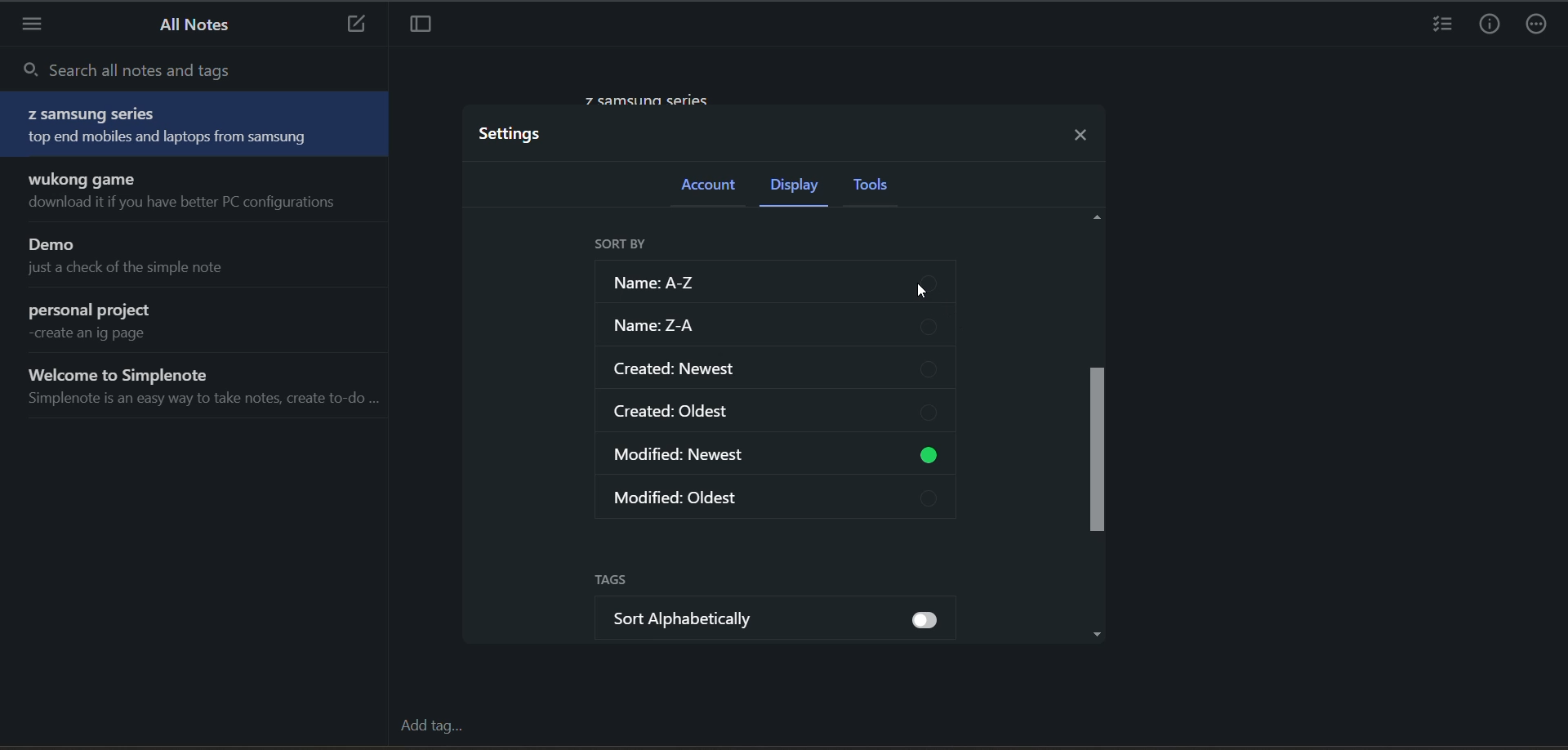 This screenshot has width=1568, height=750. Describe the element at coordinates (518, 135) in the screenshot. I see `settings` at that location.